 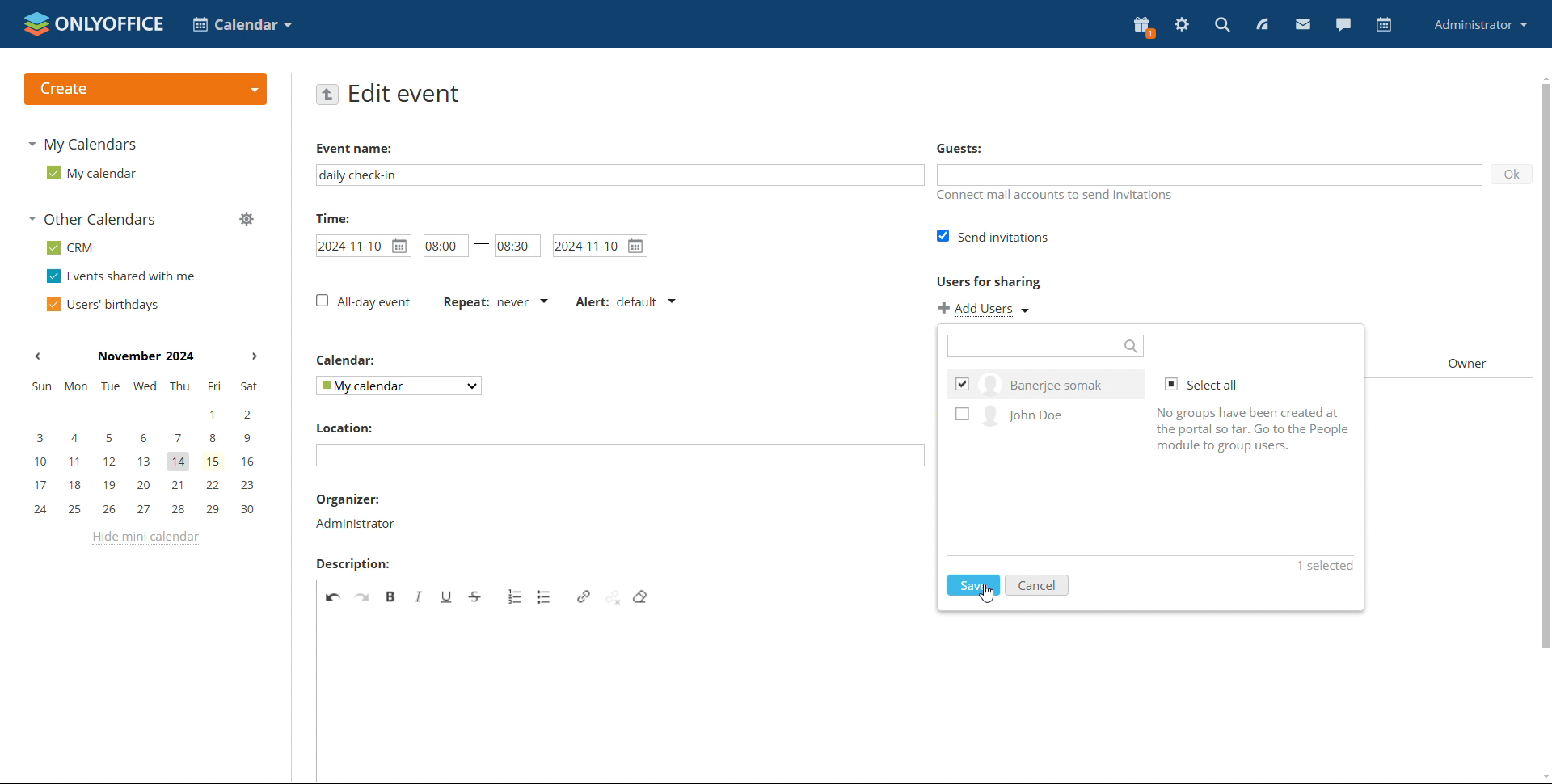 I want to click on create, so click(x=145, y=89).